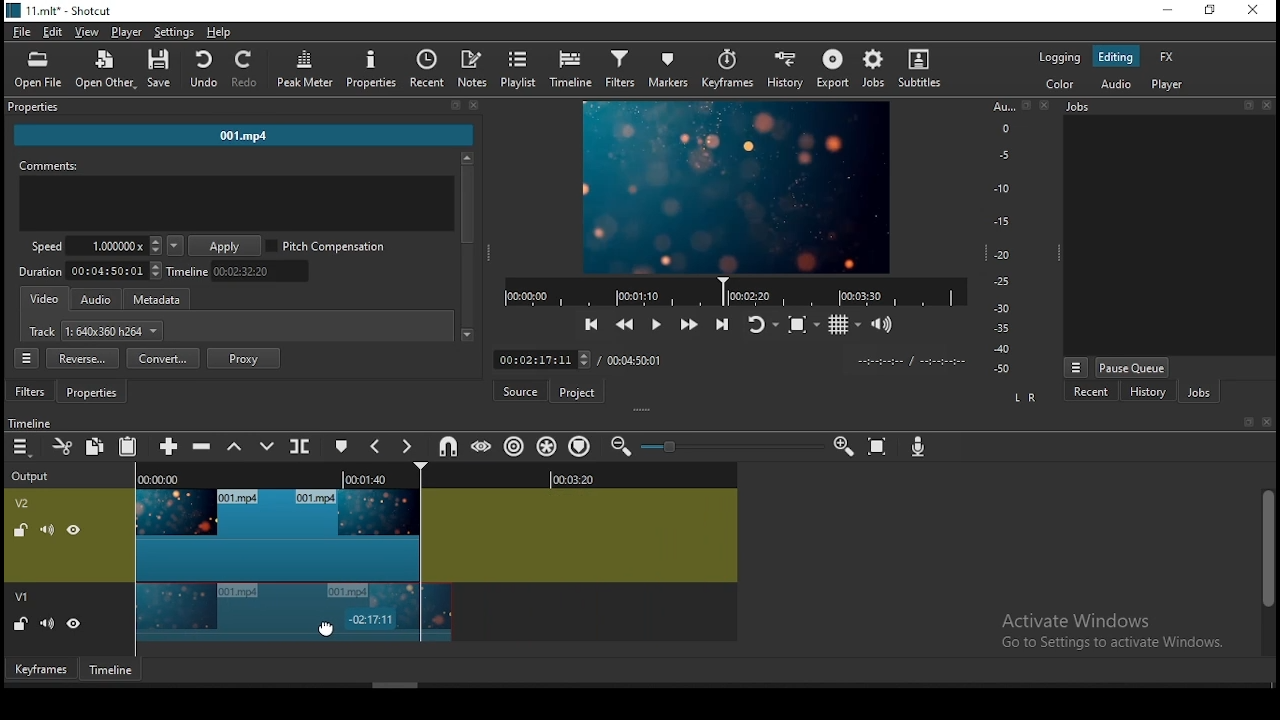 The height and width of the screenshot is (720, 1280). What do you see at coordinates (46, 528) in the screenshot?
I see `(UN)MUTE` at bounding box center [46, 528].